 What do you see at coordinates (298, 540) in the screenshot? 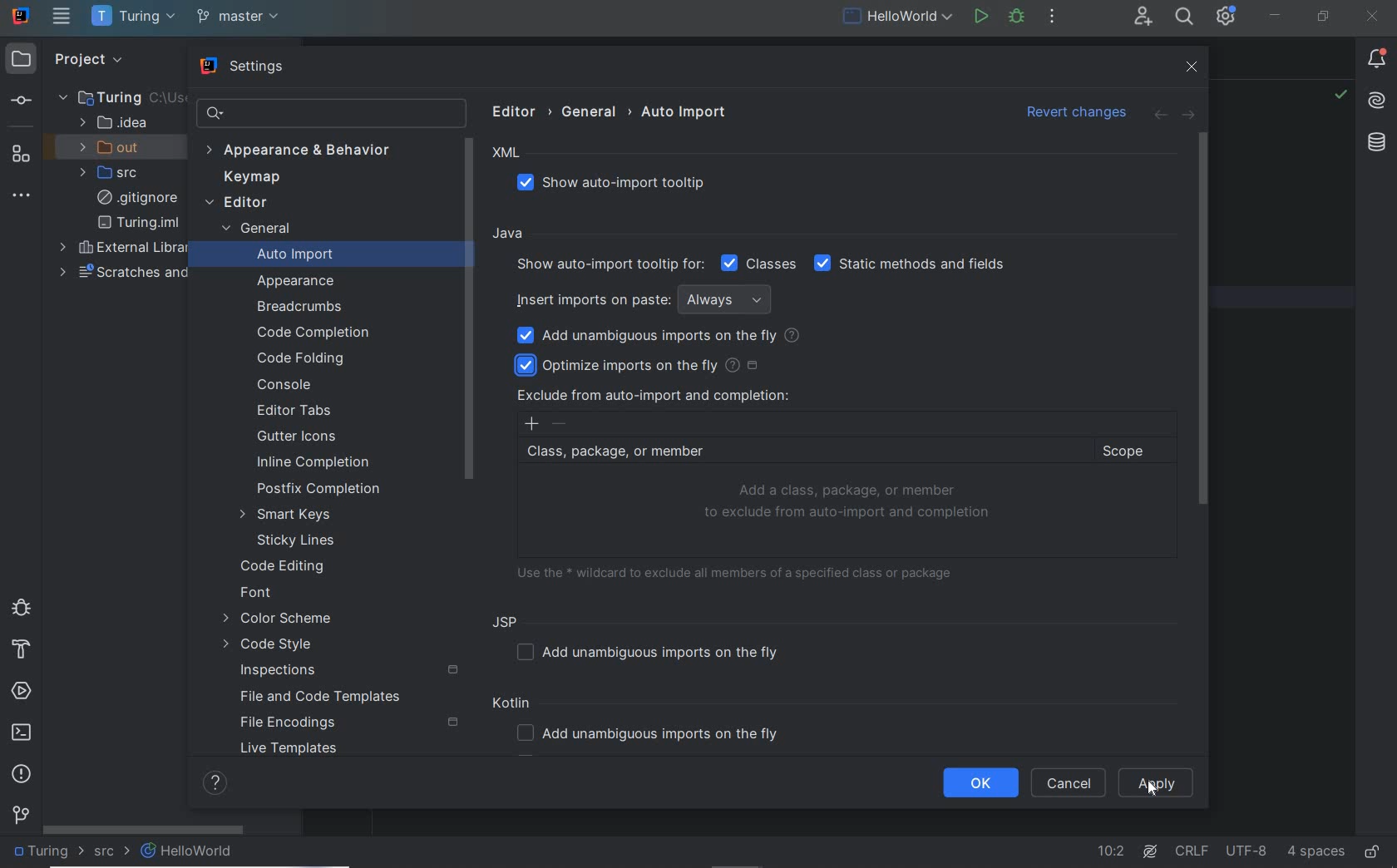
I see `STICKY LINES` at bounding box center [298, 540].